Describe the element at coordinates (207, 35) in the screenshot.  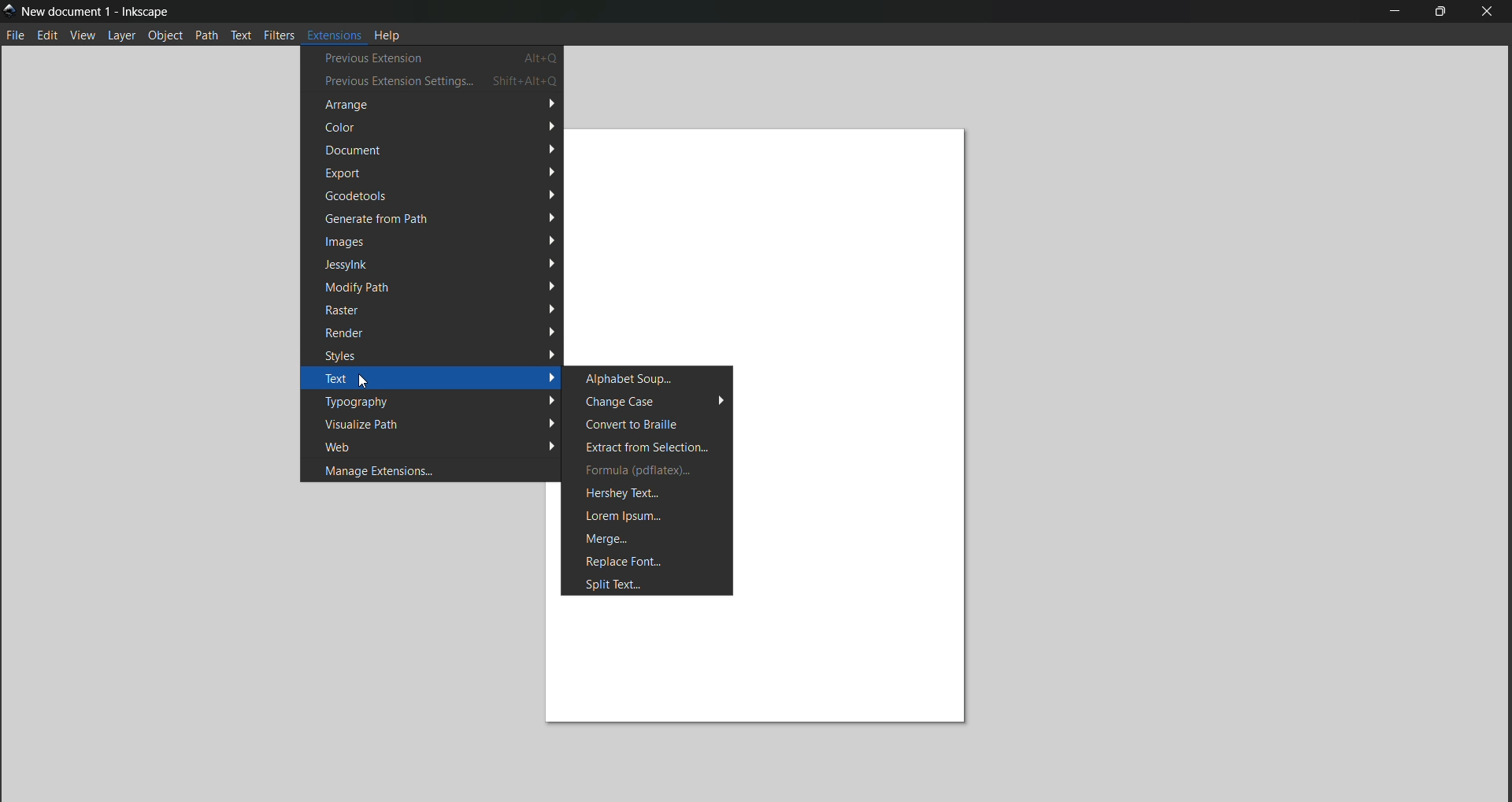
I see `path` at that location.